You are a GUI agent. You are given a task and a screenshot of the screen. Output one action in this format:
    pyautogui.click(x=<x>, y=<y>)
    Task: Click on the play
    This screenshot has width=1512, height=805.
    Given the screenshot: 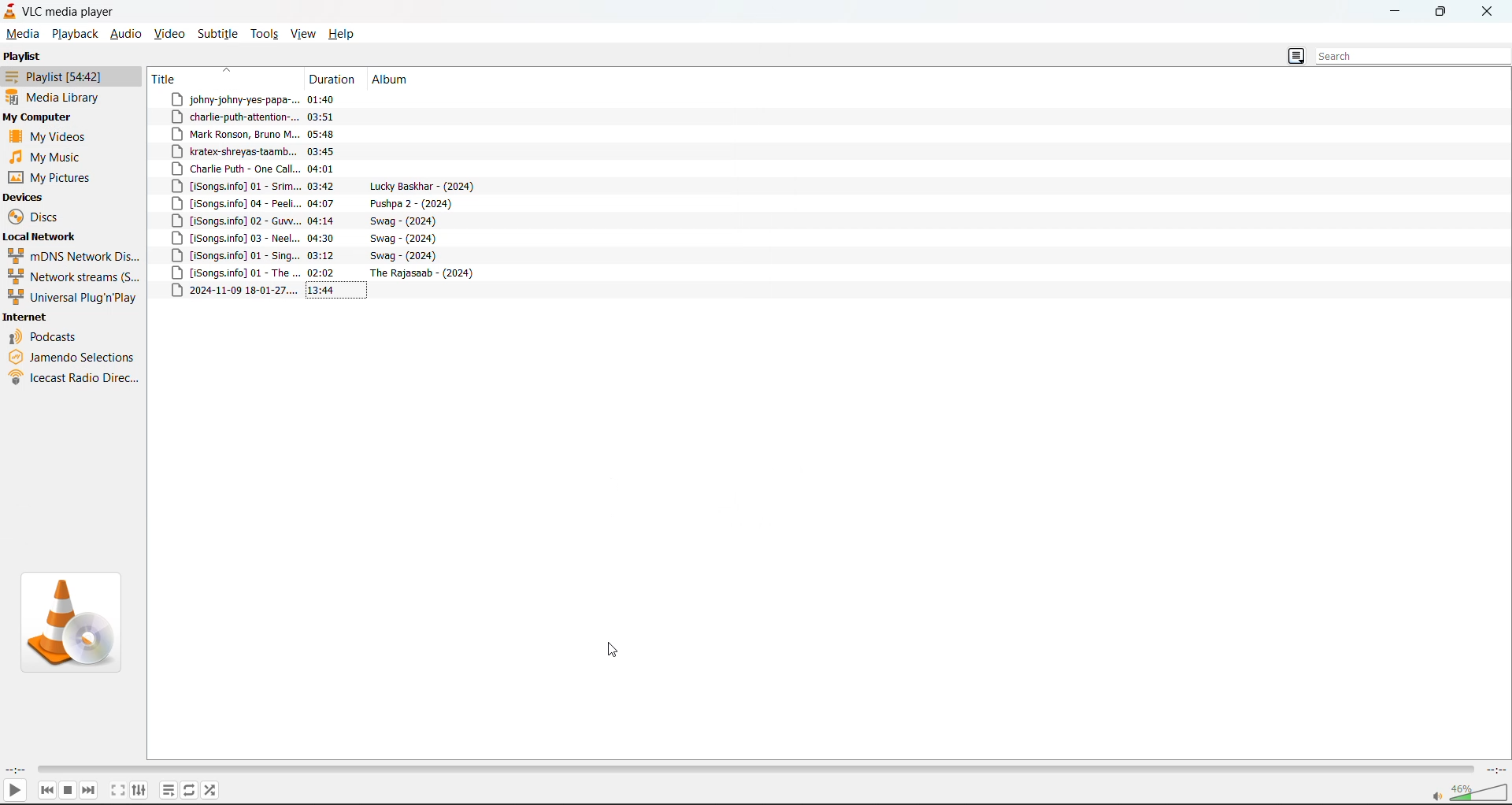 What is the action you would take?
    pyautogui.click(x=17, y=789)
    